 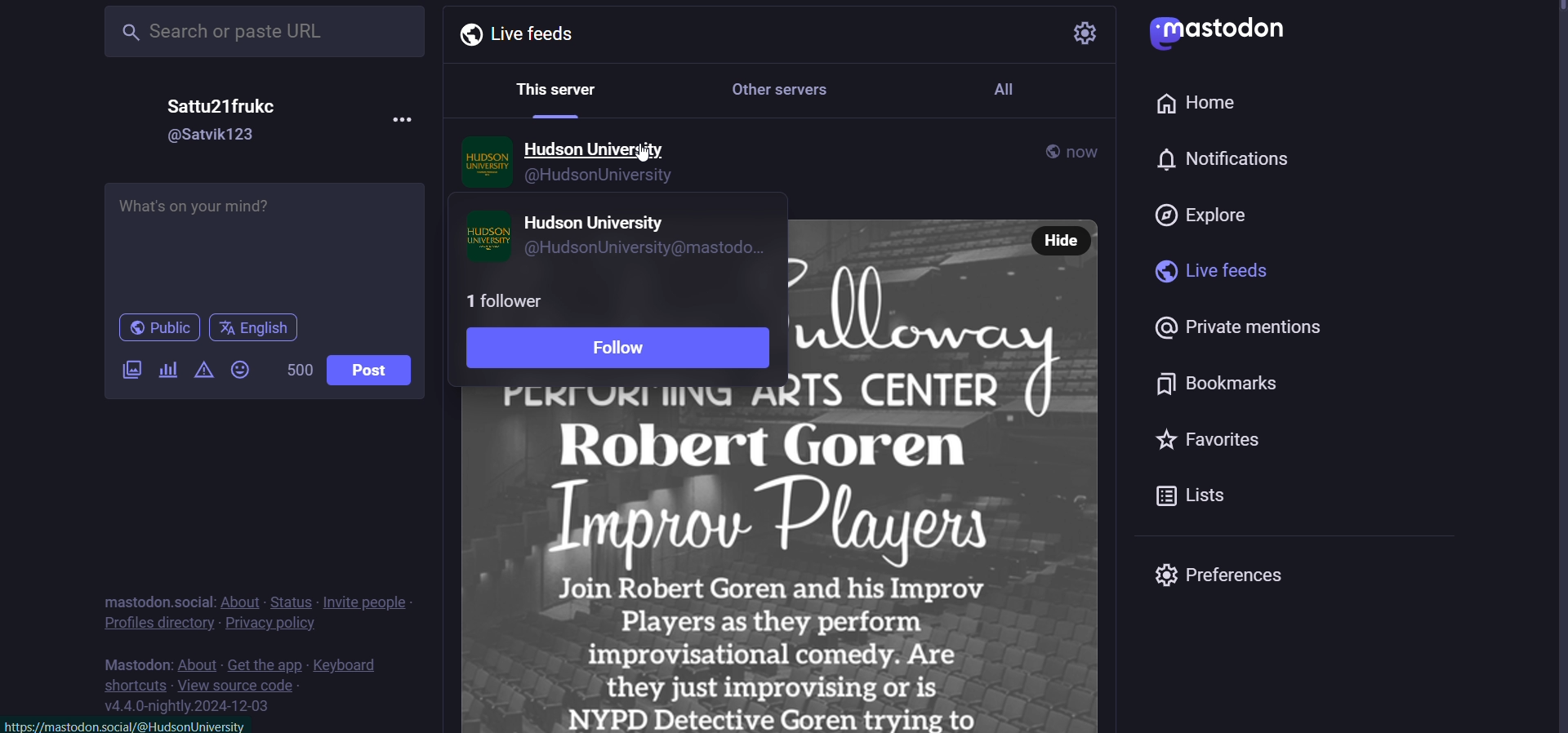 What do you see at coordinates (131, 371) in the screenshot?
I see `images/videos` at bounding box center [131, 371].